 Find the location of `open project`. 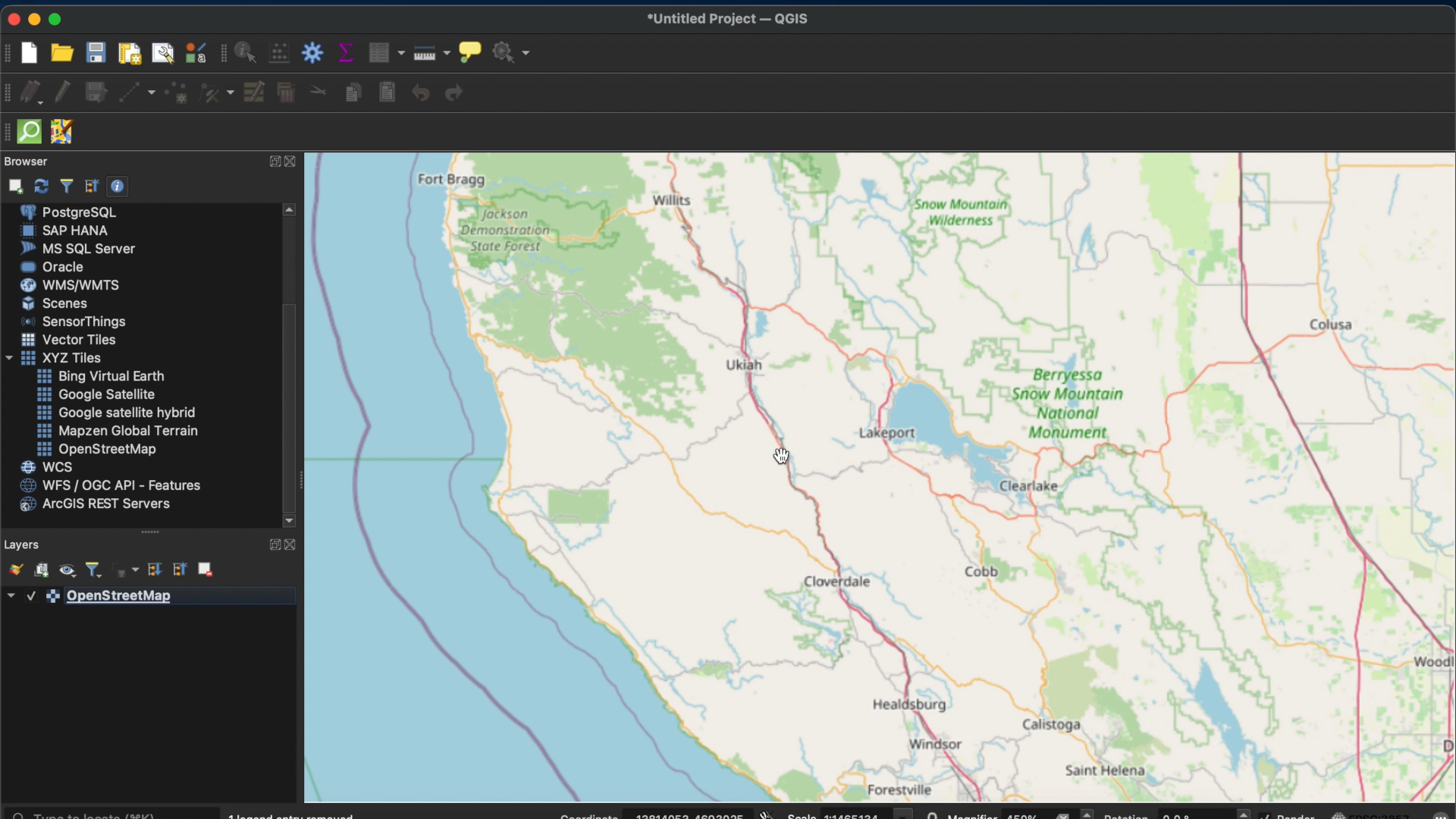

open project is located at coordinates (61, 52).